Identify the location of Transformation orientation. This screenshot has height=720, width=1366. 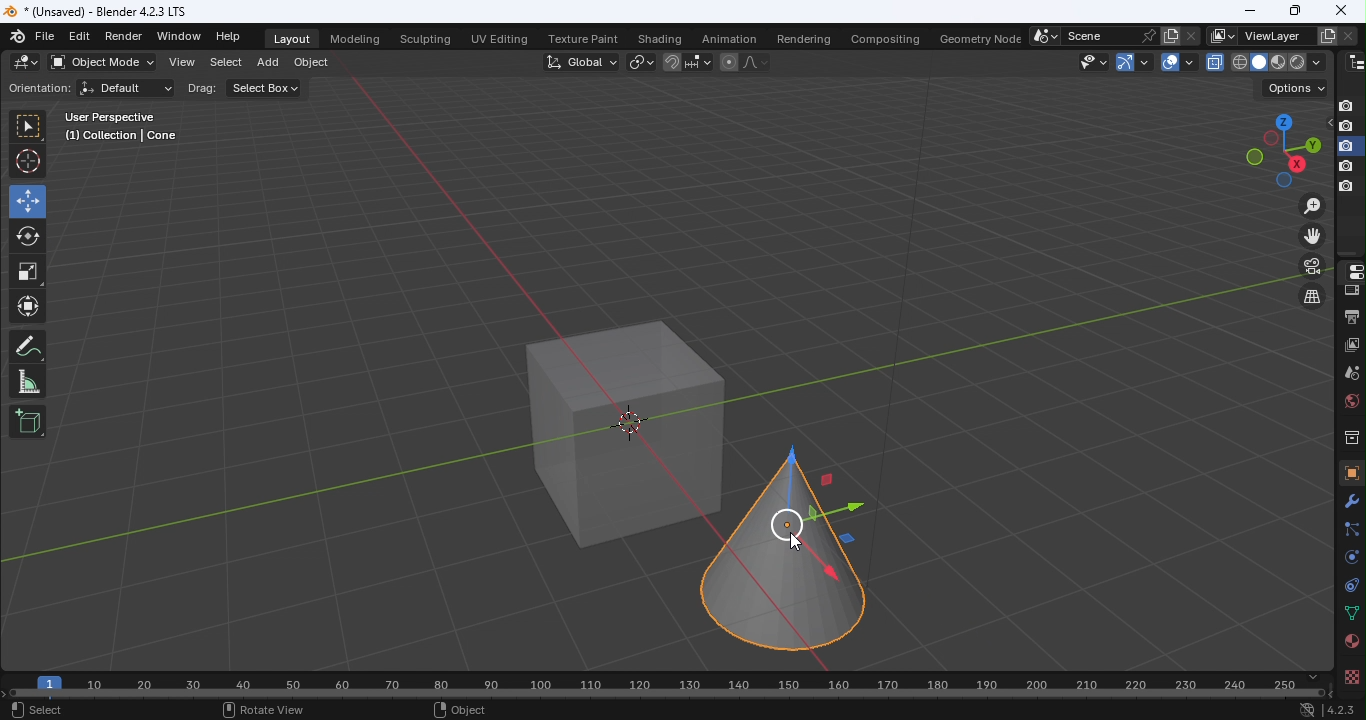
(584, 60).